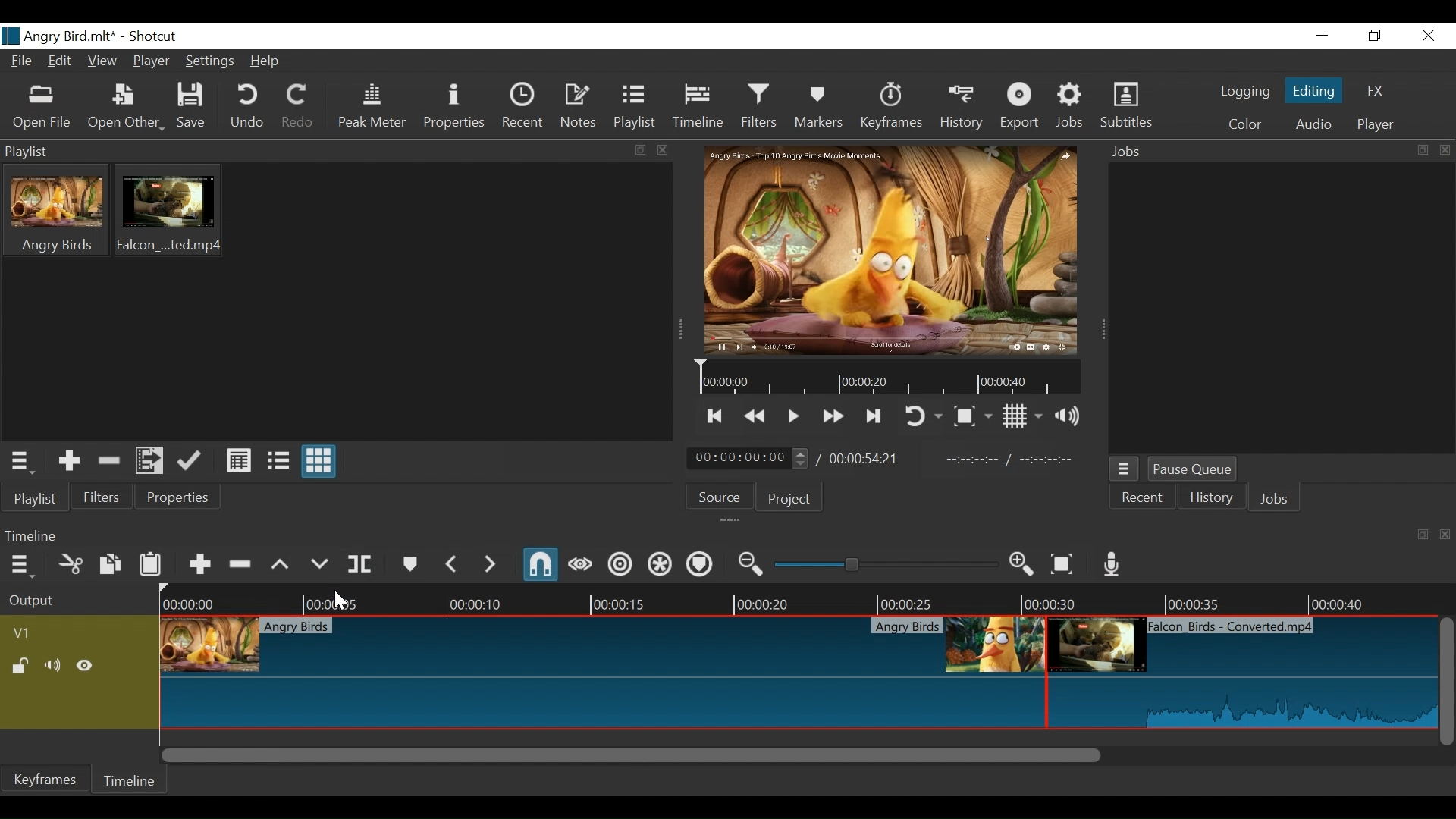 The image size is (1456, 819). Describe the element at coordinates (456, 107) in the screenshot. I see `Properties` at that location.